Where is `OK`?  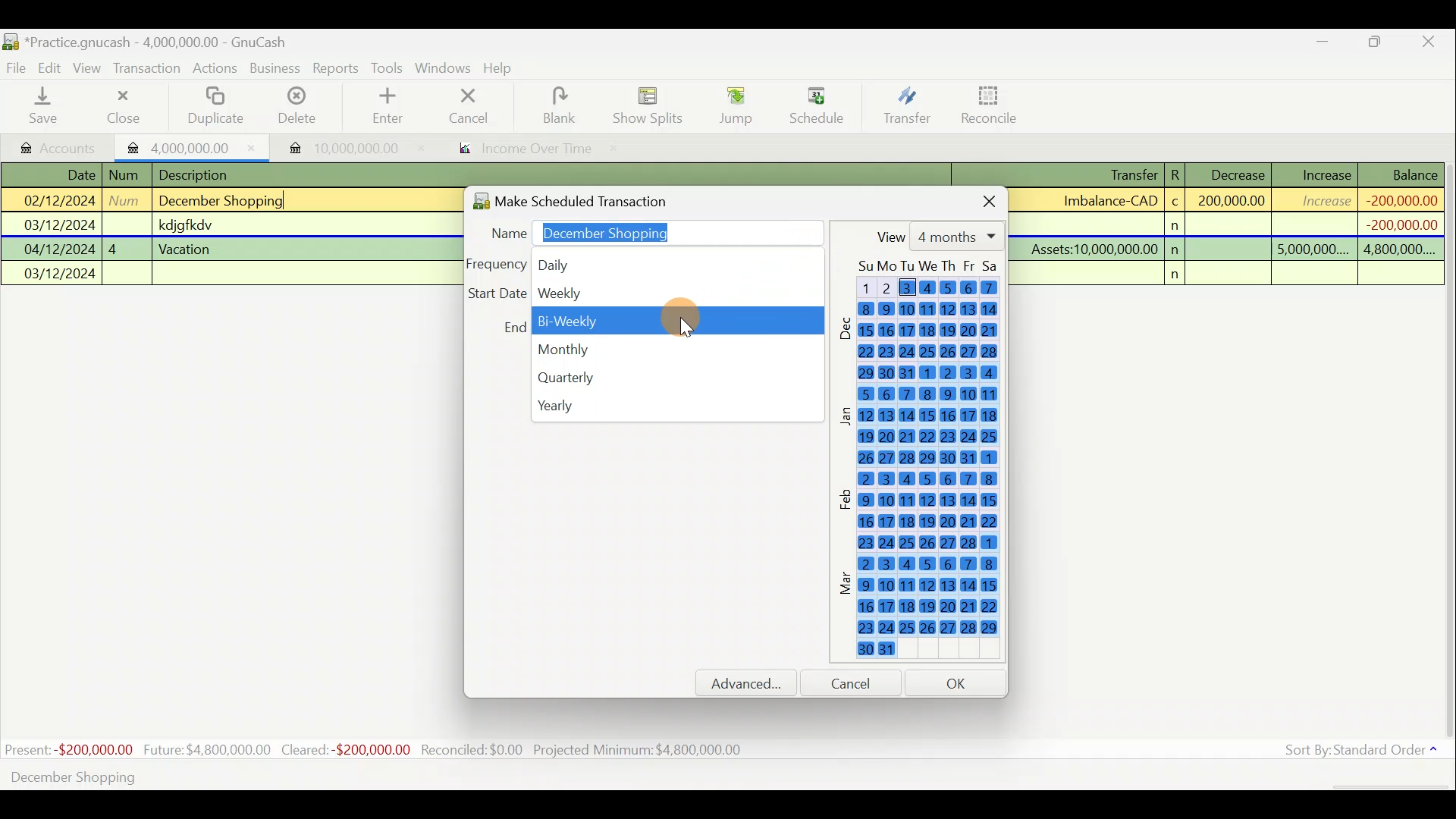 OK is located at coordinates (959, 682).